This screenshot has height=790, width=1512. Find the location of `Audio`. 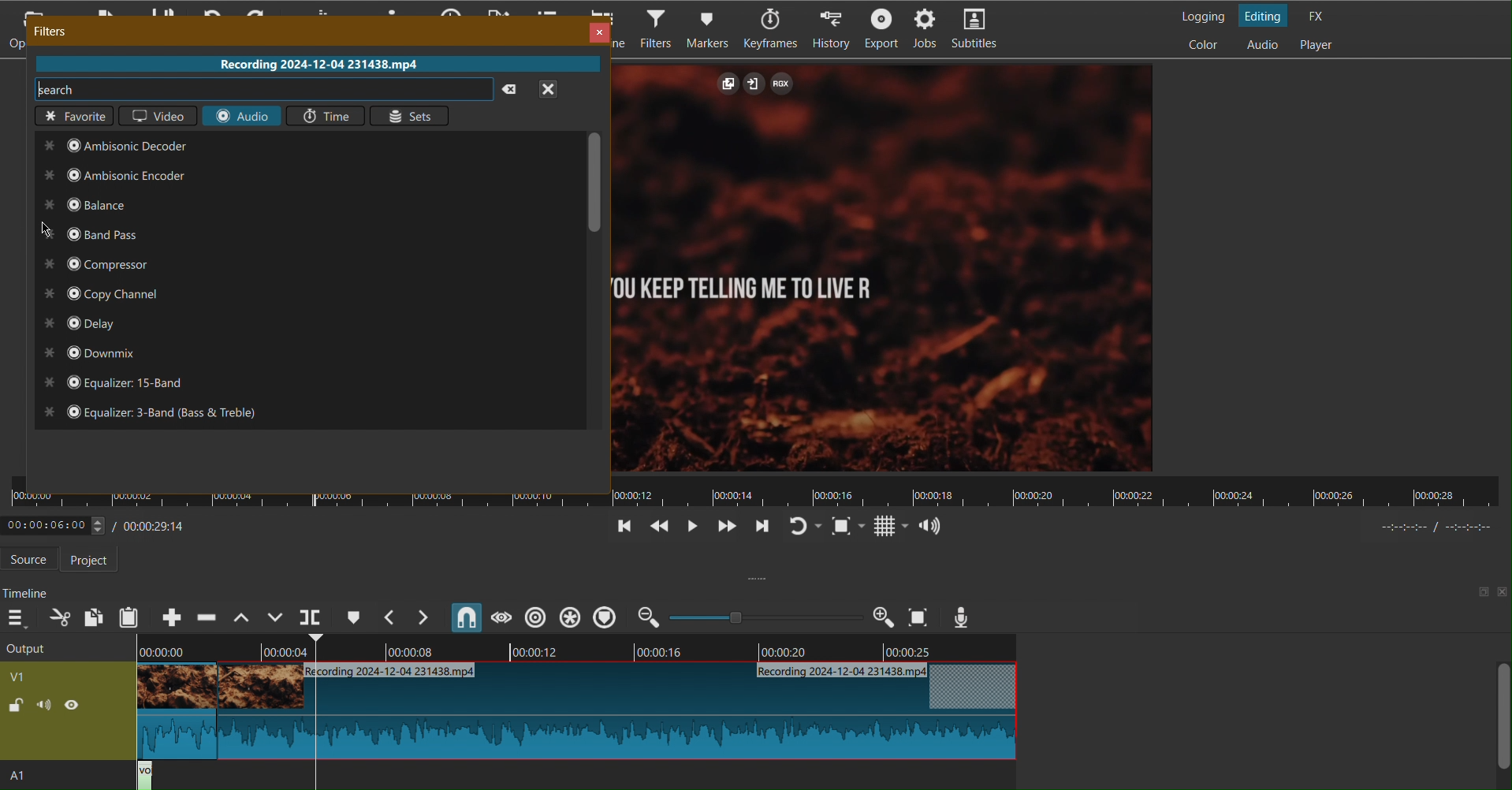

Audio is located at coordinates (240, 115).